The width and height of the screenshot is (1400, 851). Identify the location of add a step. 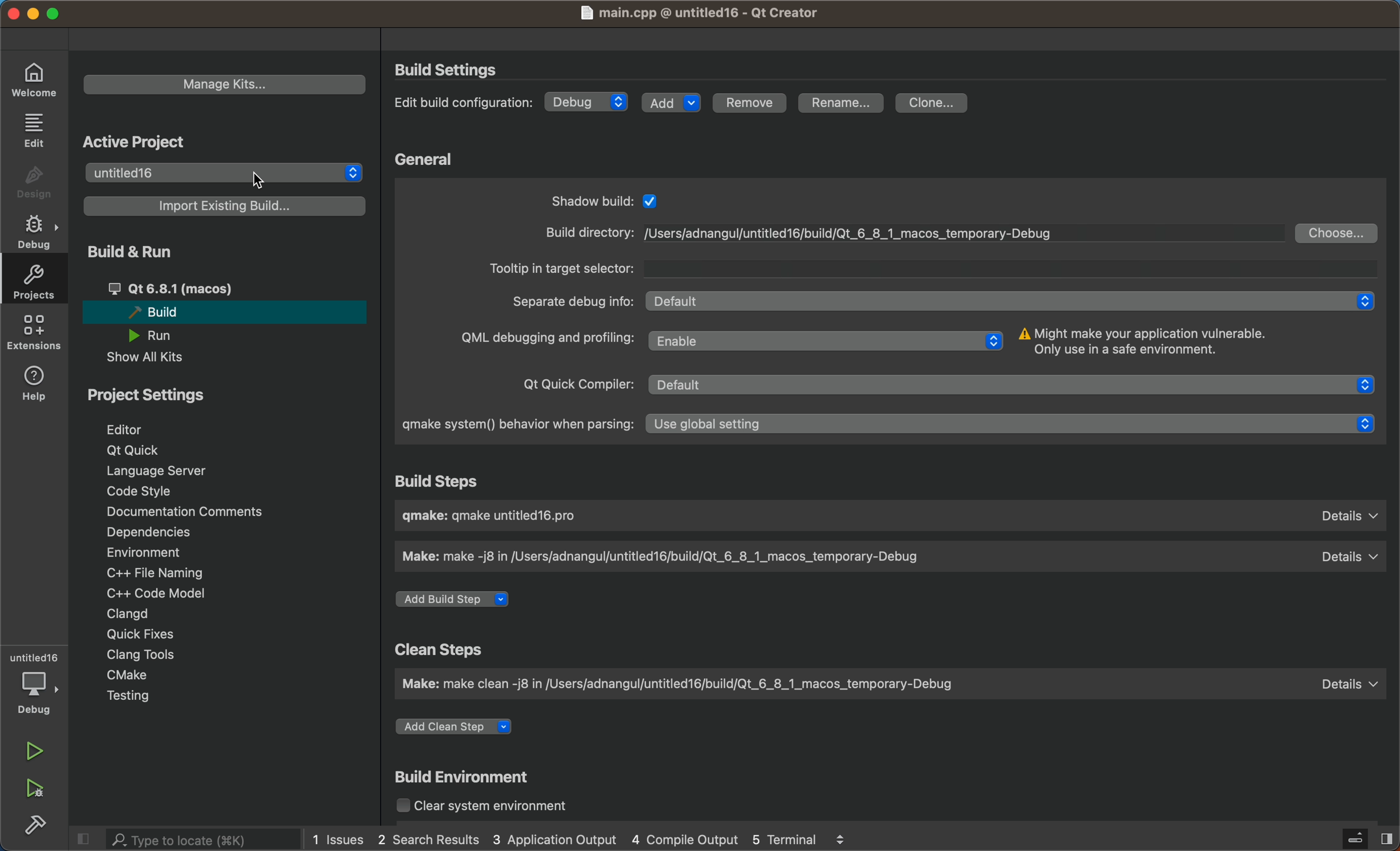
(458, 723).